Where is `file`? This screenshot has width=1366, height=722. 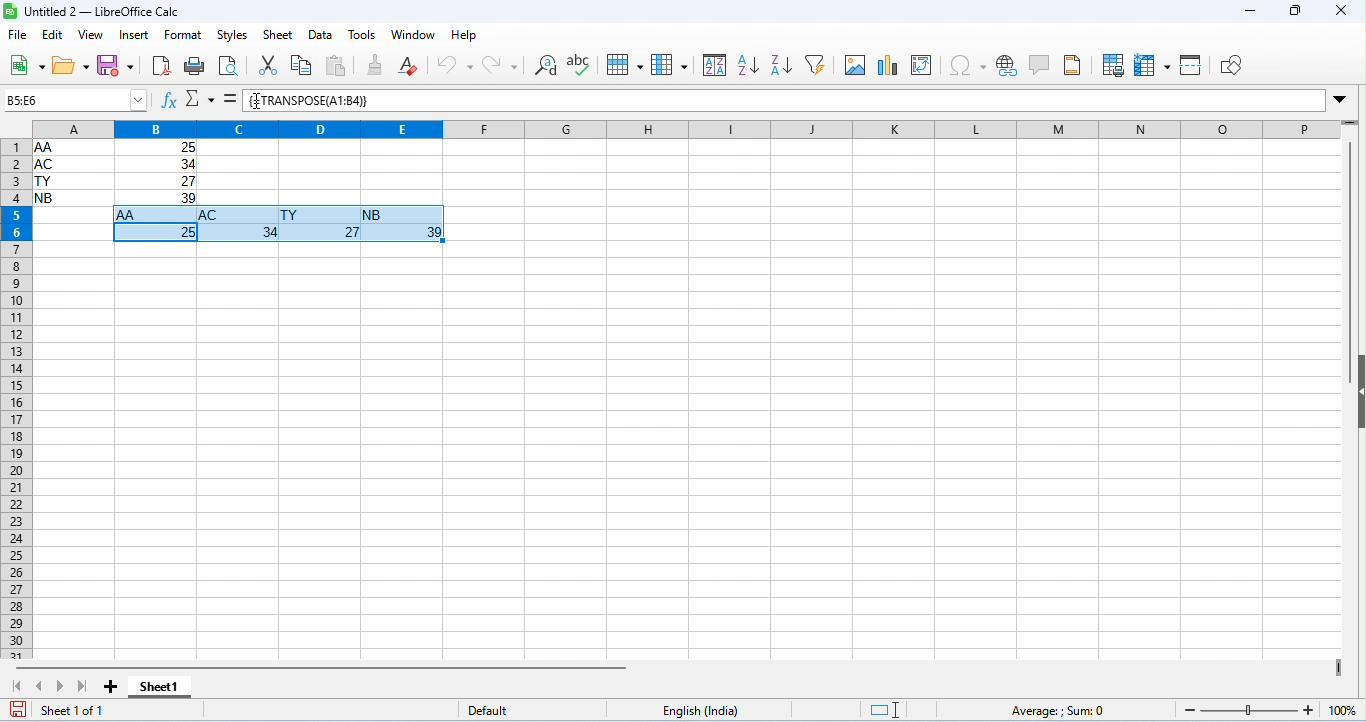
file is located at coordinates (19, 36).